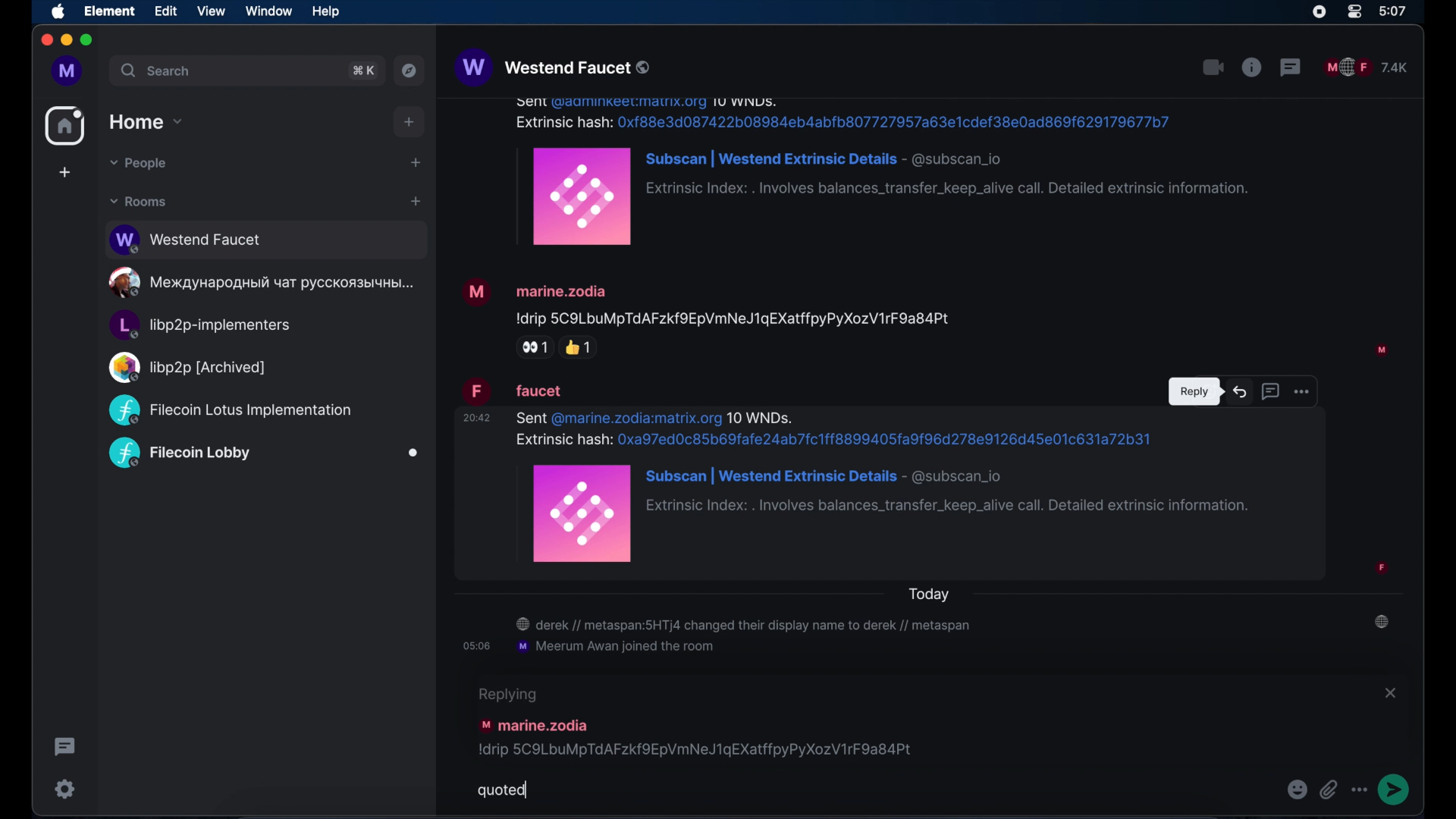  What do you see at coordinates (1319, 12) in the screenshot?
I see `screen recorder icon` at bounding box center [1319, 12].